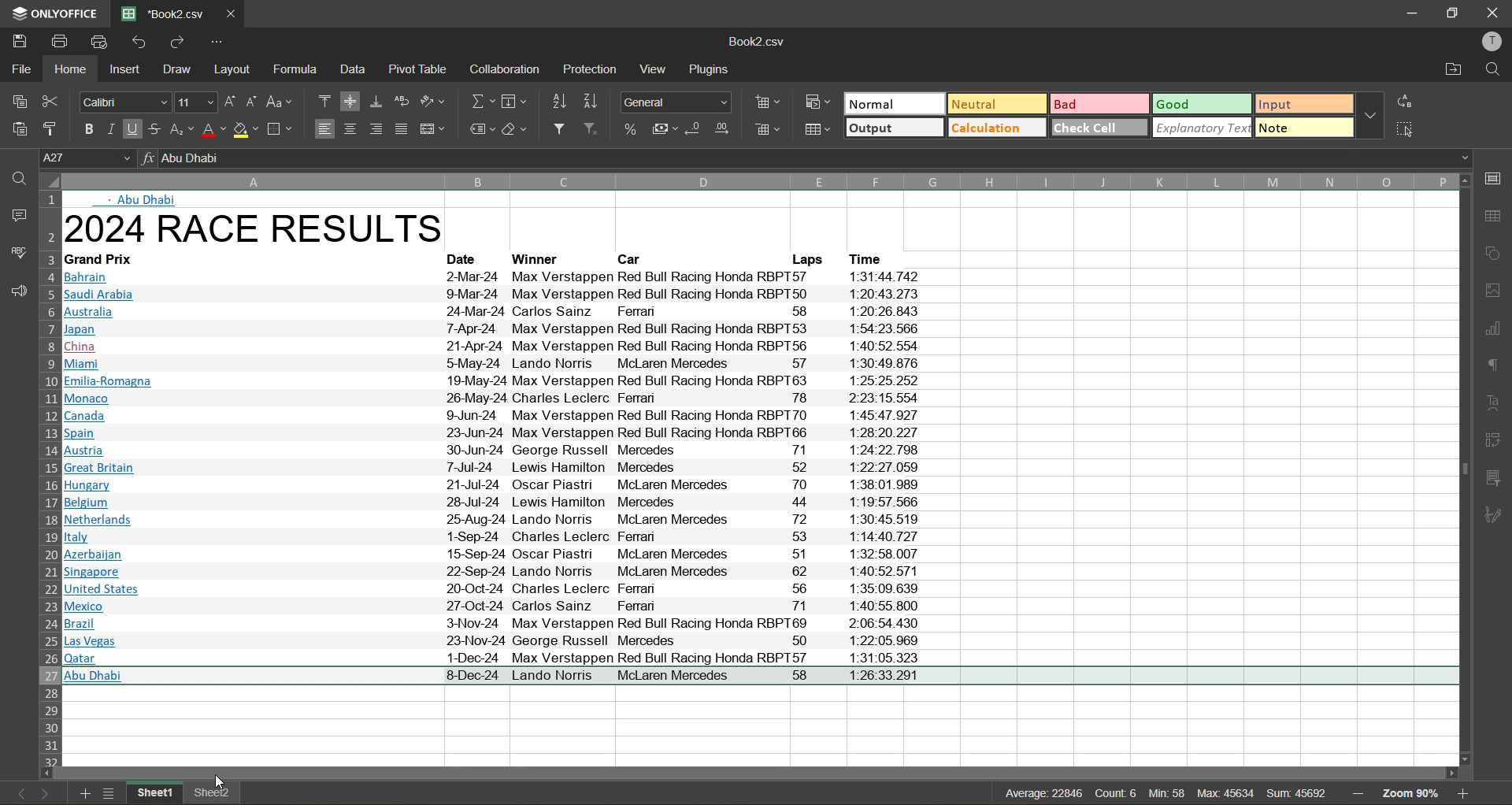 The width and height of the screenshot is (1512, 805). I want to click on slicer, so click(1494, 479).